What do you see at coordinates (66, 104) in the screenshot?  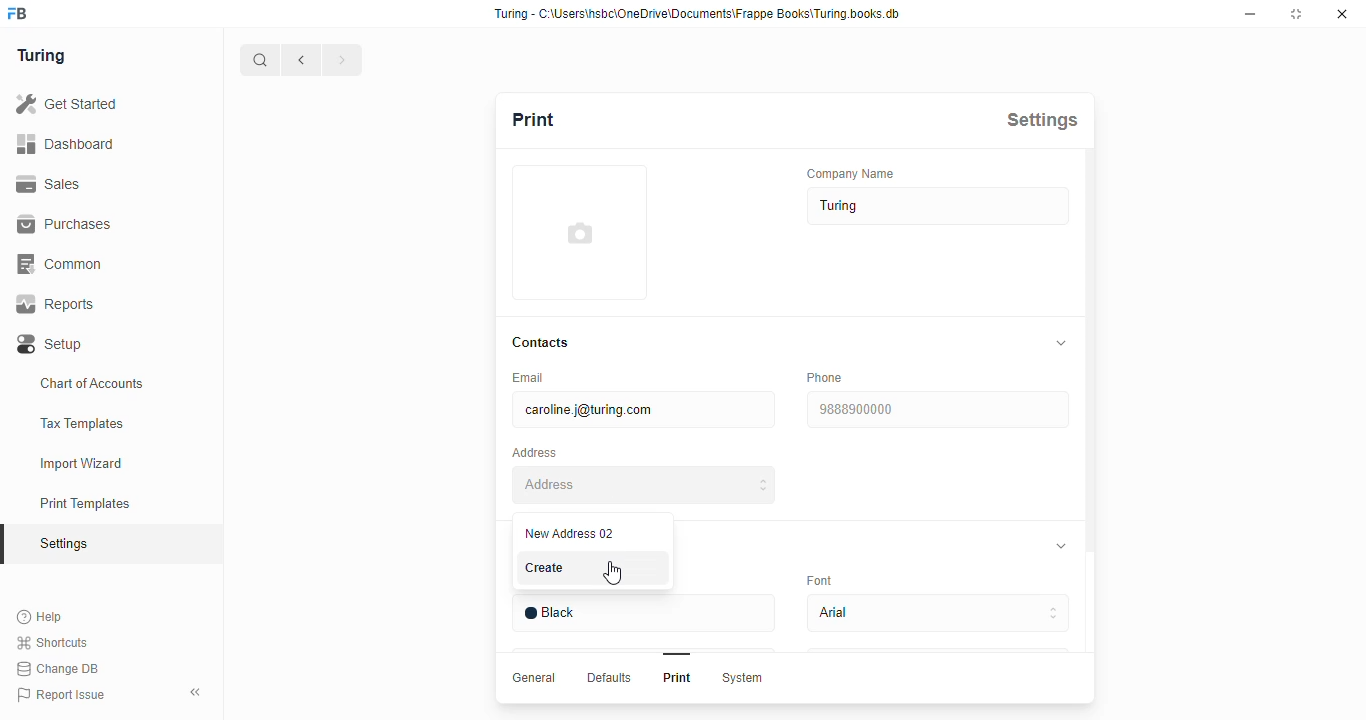 I see `get started` at bounding box center [66, 104].